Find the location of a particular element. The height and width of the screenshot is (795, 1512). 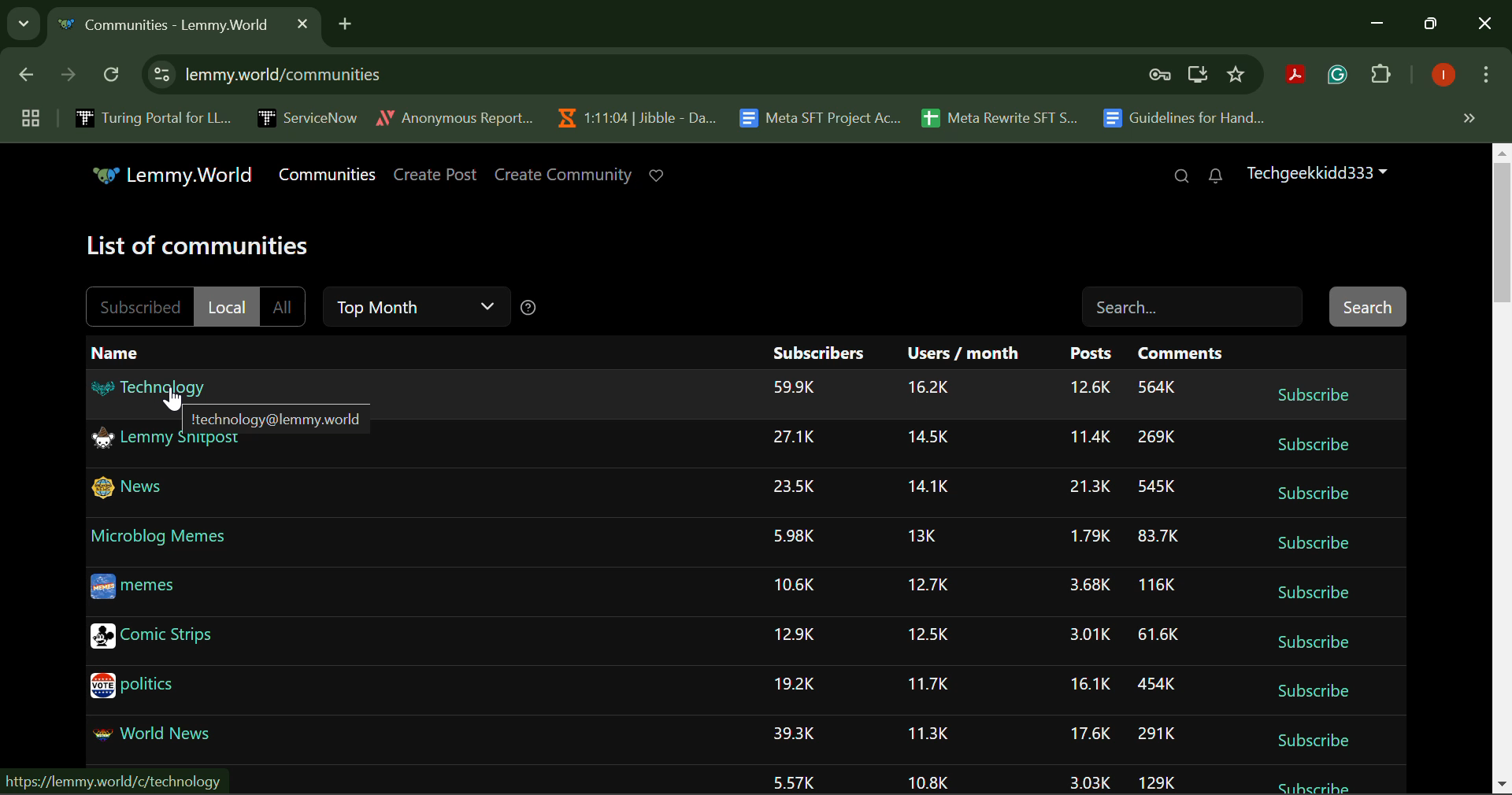

All Filter Unselected is located at coordinates (283, 304).